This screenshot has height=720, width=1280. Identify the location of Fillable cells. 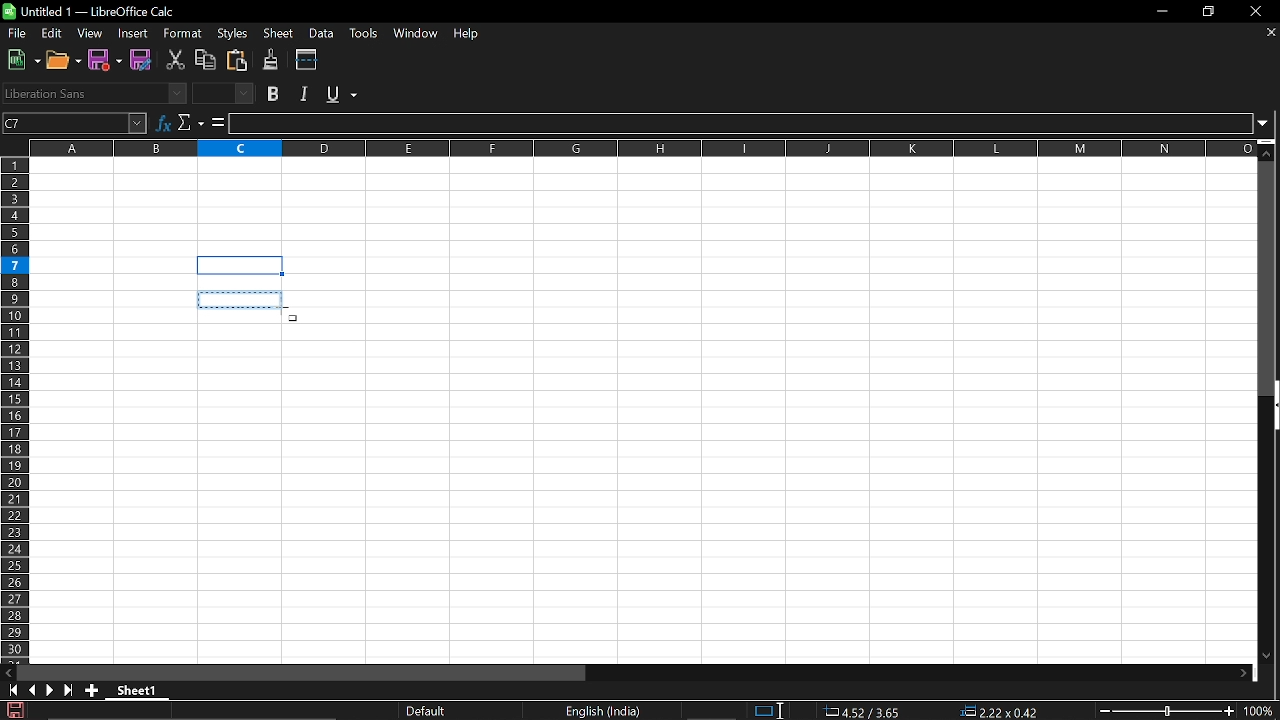
(644, 206).